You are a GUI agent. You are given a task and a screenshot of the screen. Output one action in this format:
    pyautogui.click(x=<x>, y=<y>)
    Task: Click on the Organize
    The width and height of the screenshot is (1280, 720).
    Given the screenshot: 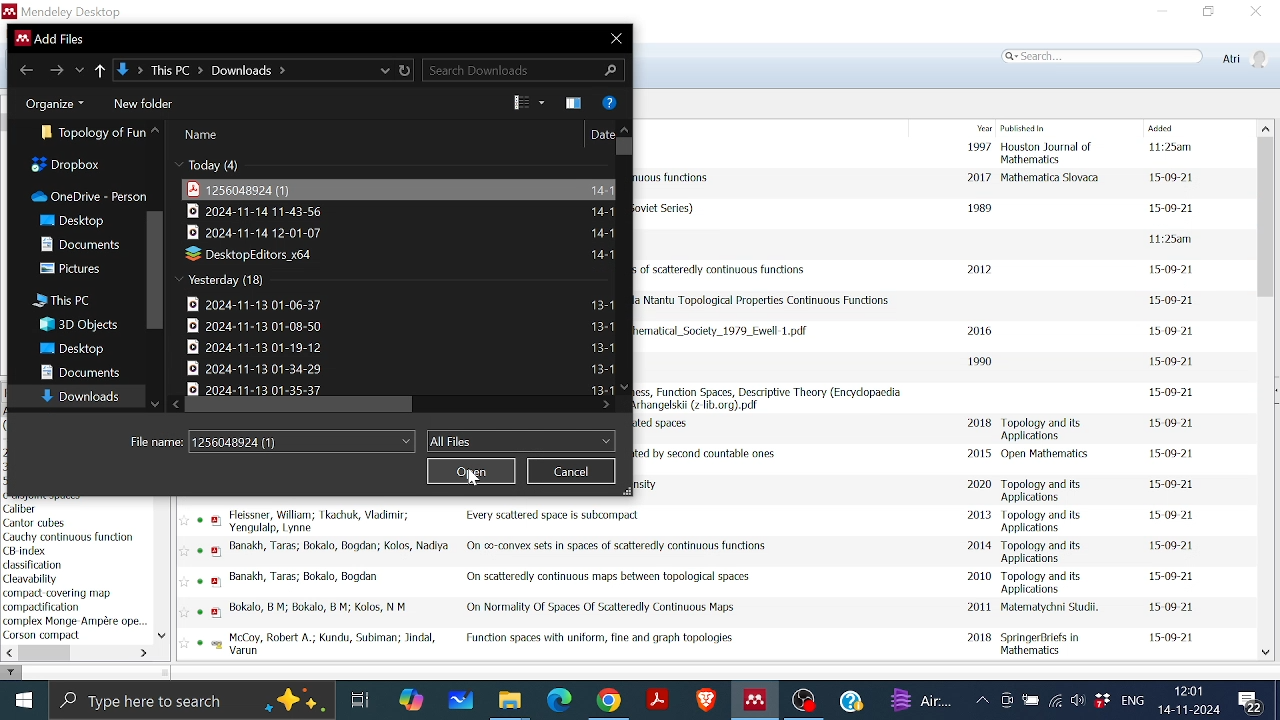 What is the action you would take?
    pyautogui.click(x=55, y=104)
    